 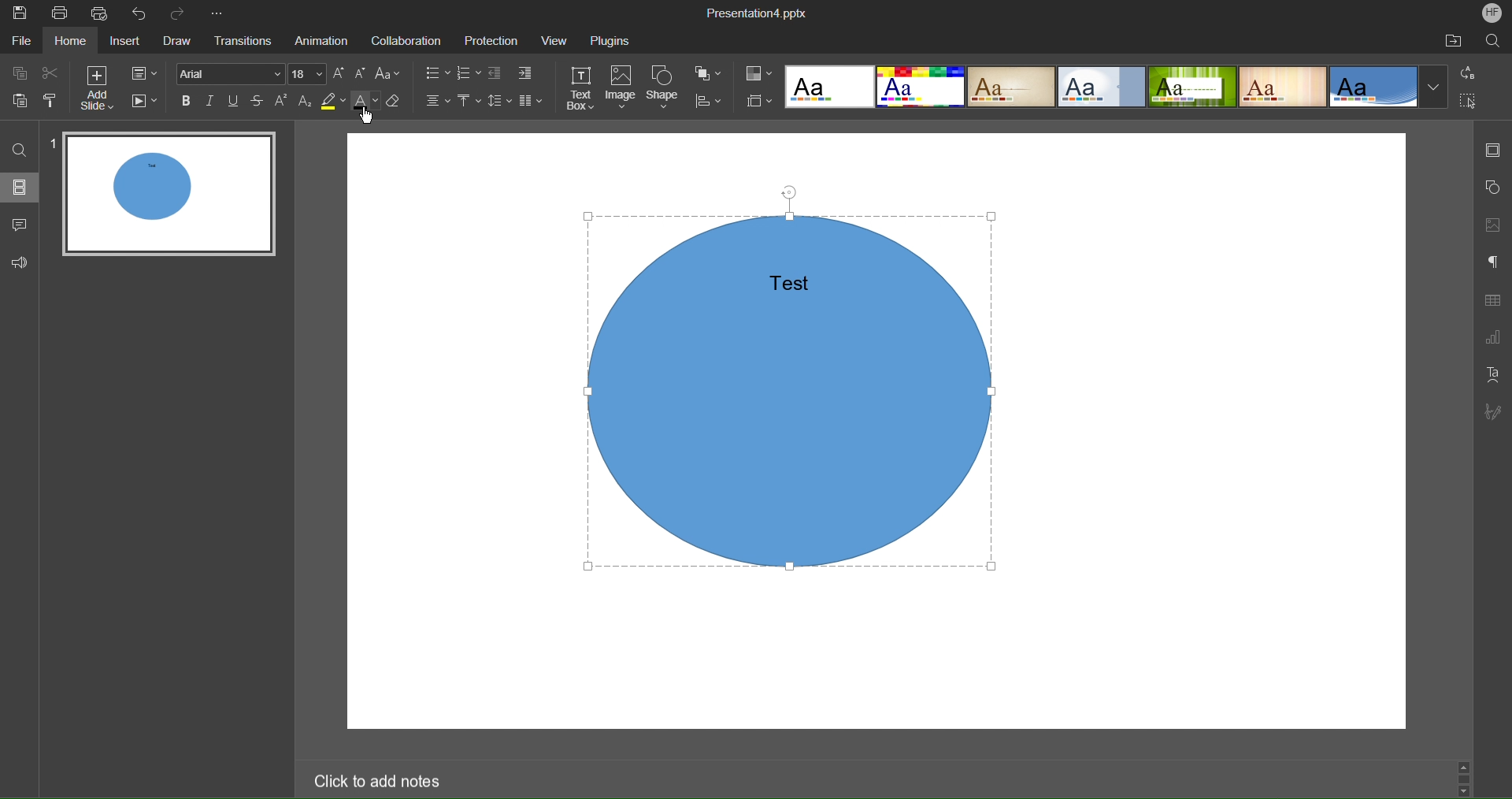 I want to click on Scroll up, so click(x=1464, y=764).